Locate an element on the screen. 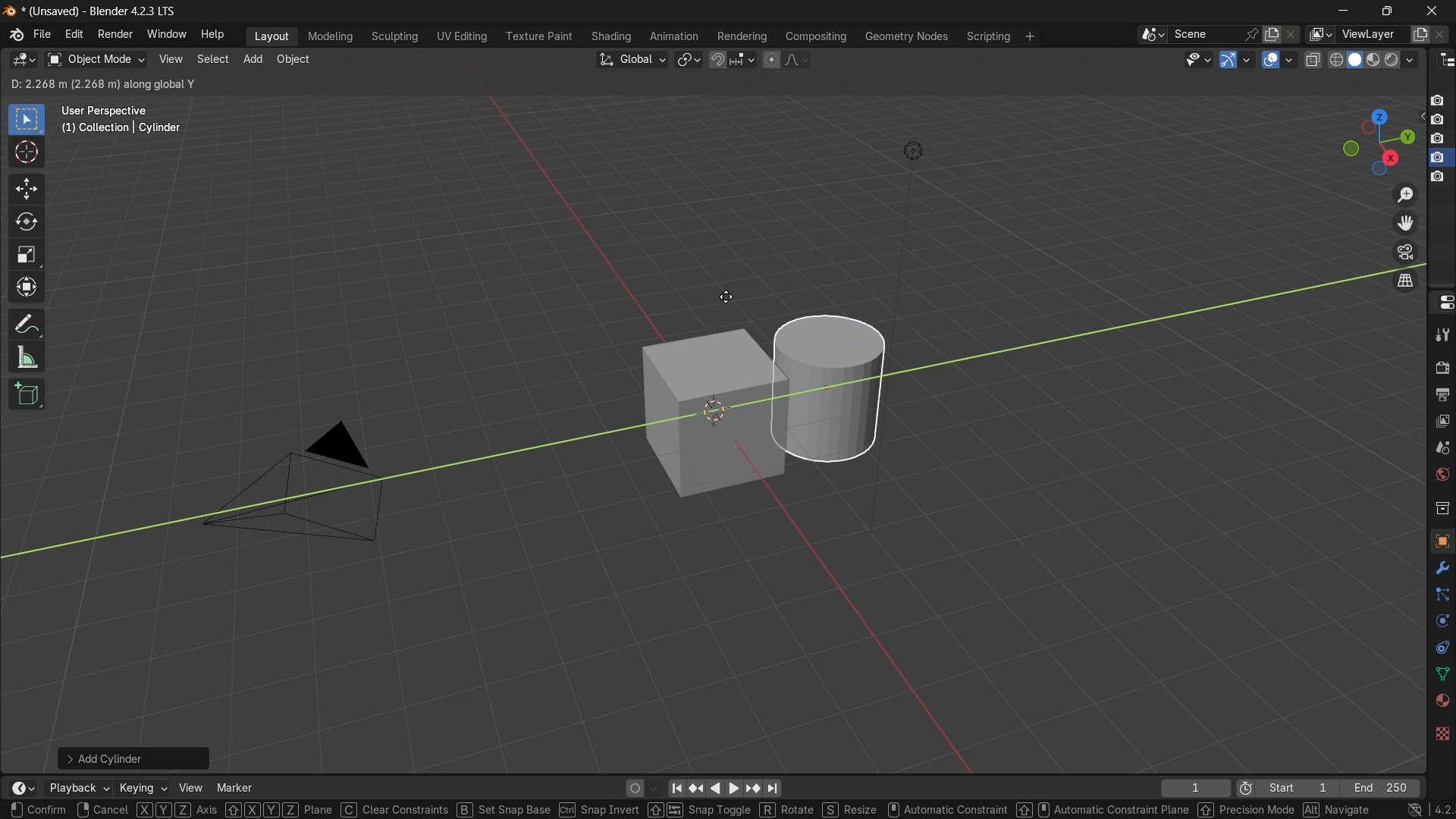 The image size is (1456, 819). cancel is located at coordinates (101, 810).